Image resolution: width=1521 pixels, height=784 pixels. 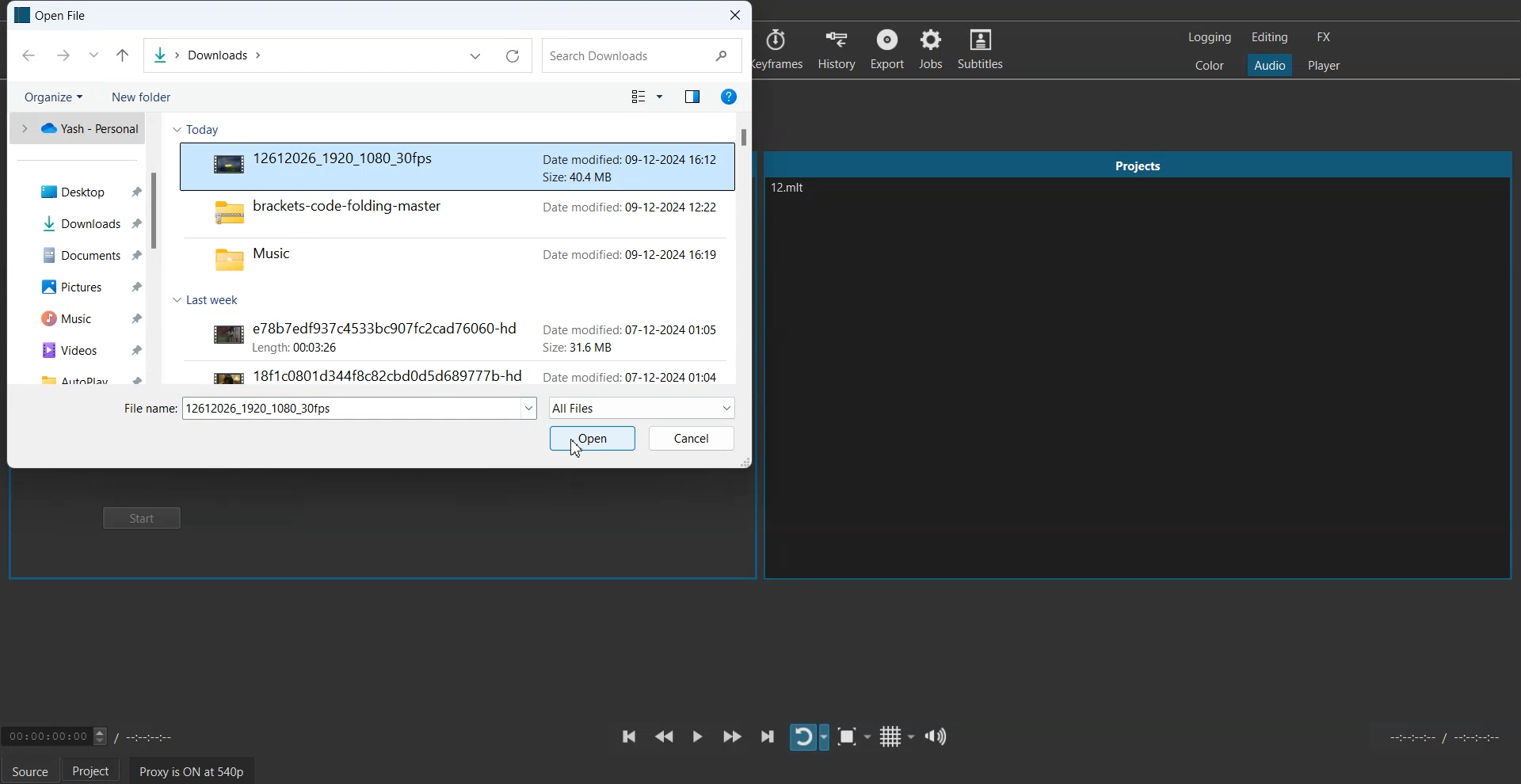 I want to click on Cursor, so click(x=580, y=448).